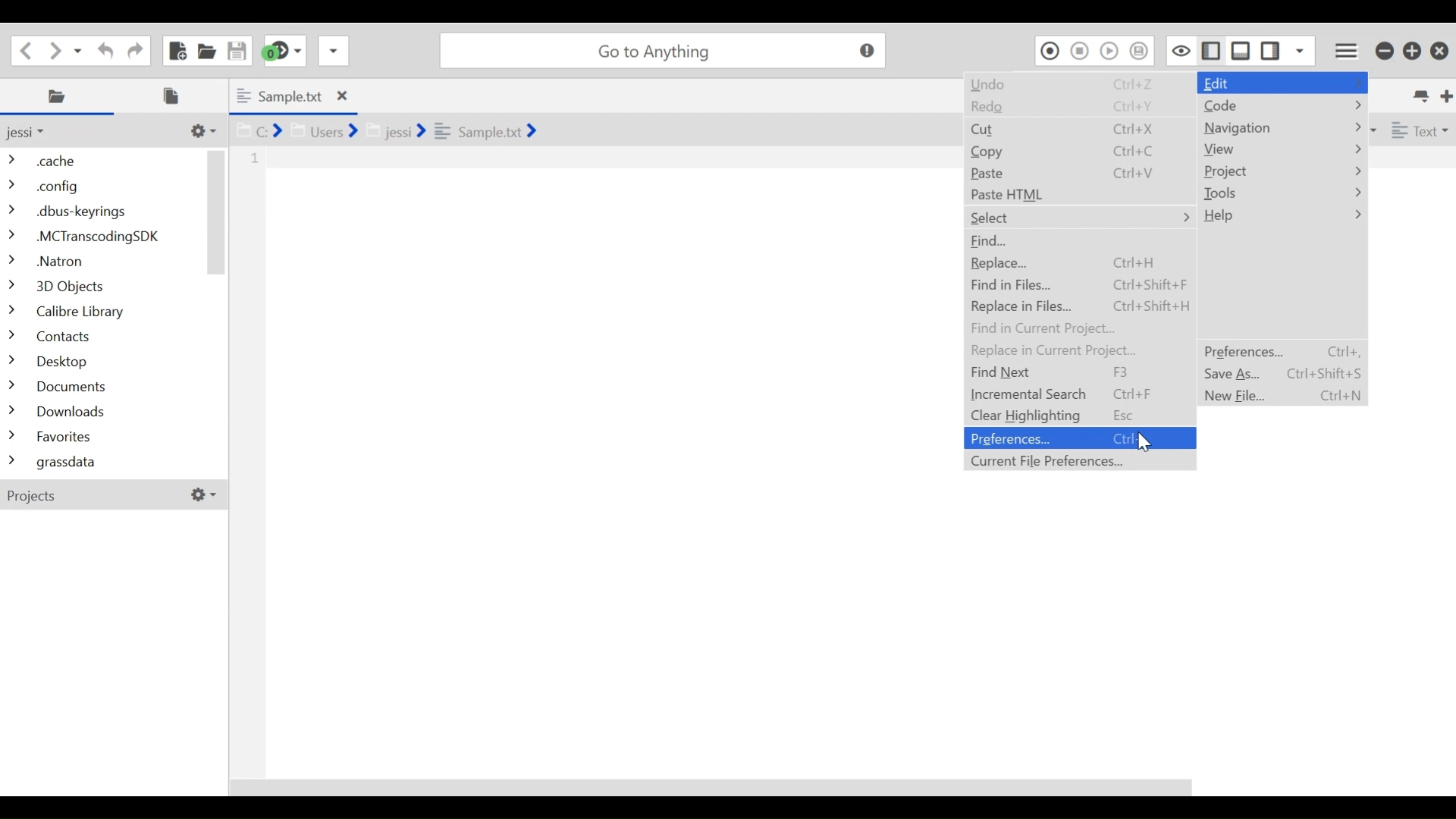 The height and width of the screenshot is (819, 1456). I want to click on Open file, so click(206, 49).